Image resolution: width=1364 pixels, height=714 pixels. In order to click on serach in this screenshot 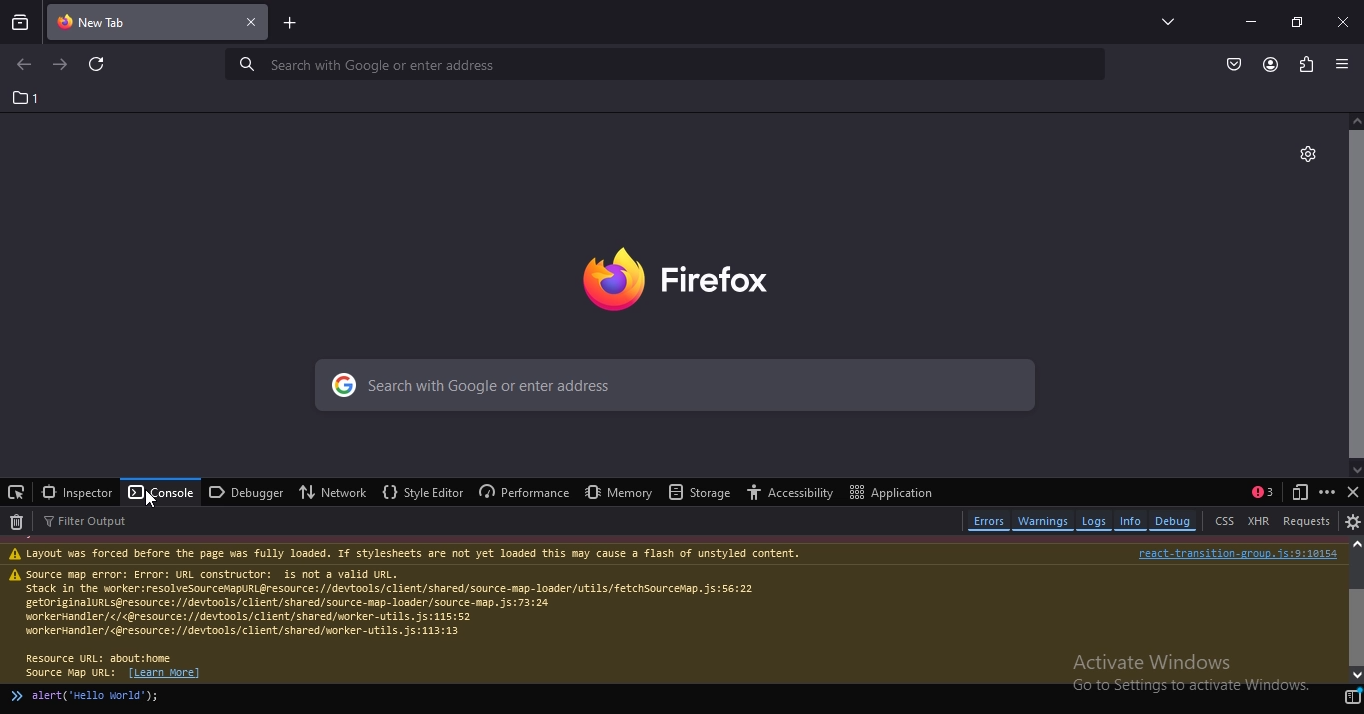, I will do `click(657, 64)`.